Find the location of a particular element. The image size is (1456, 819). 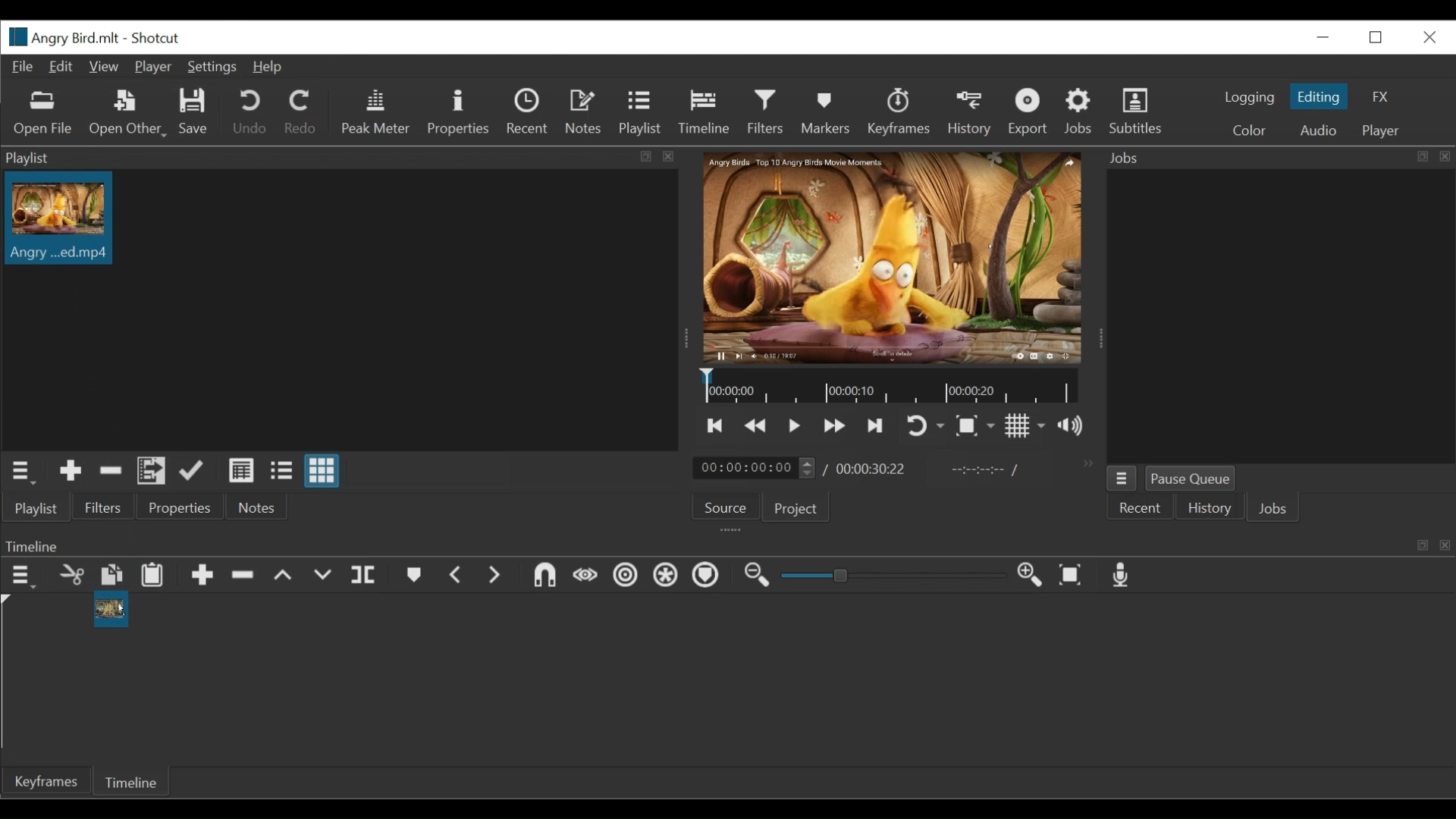

zoom timeline to fit is located at coordinates (1072, 575).